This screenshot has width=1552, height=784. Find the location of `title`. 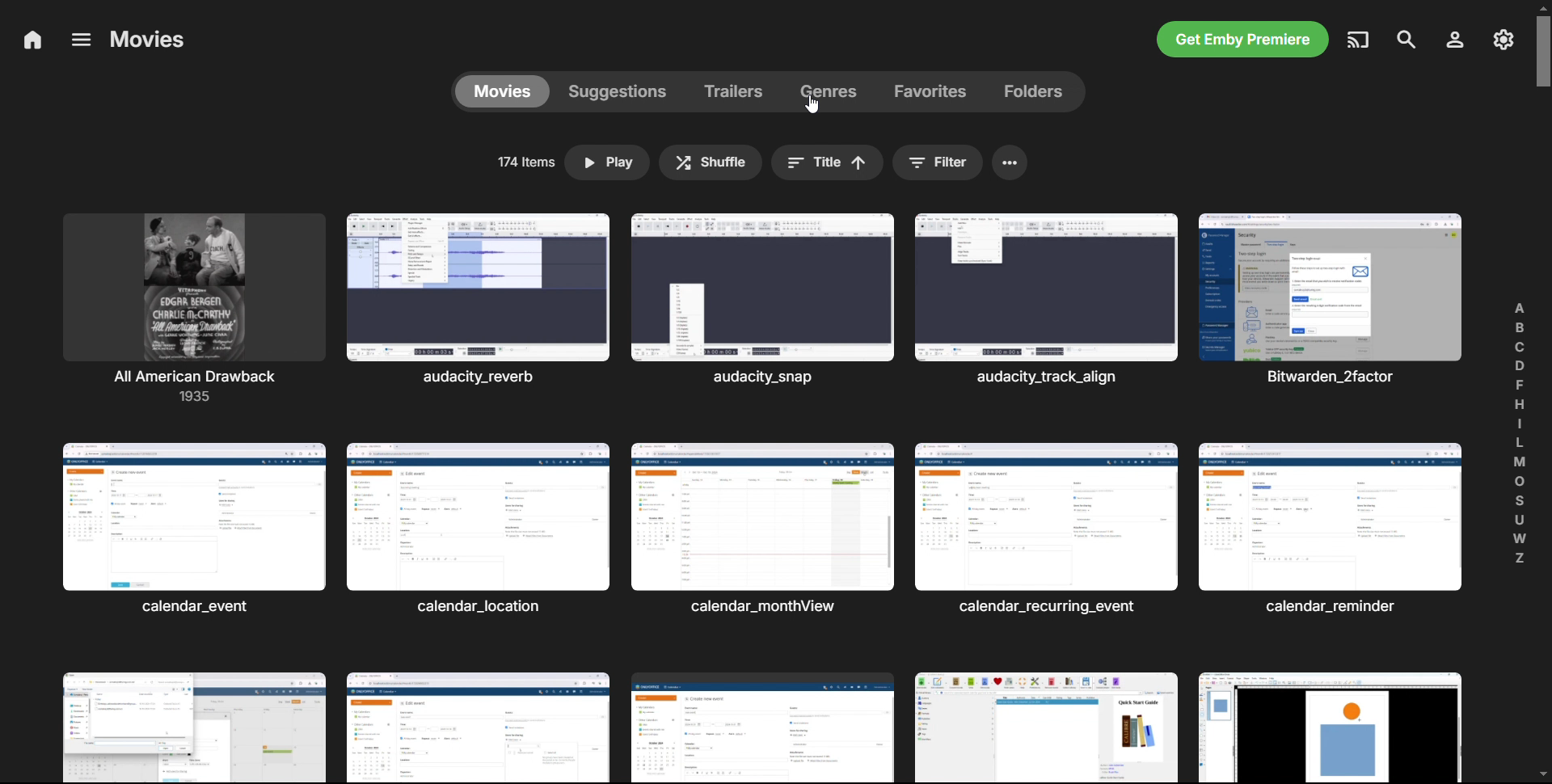

title is located at coordinates (827, 163).